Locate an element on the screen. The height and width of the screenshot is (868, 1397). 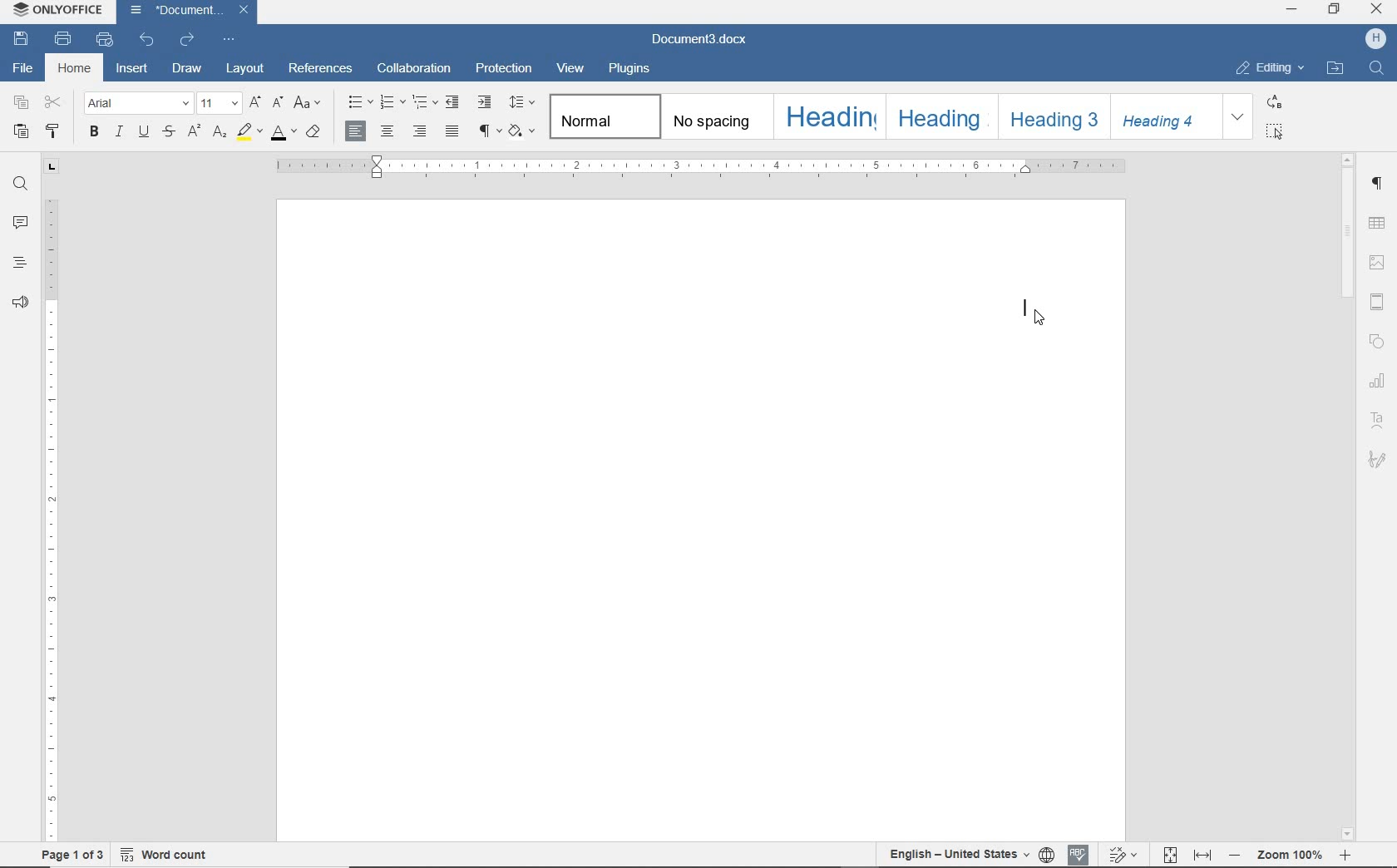
ALIGN LEFT is located at coordinates (355, 131).